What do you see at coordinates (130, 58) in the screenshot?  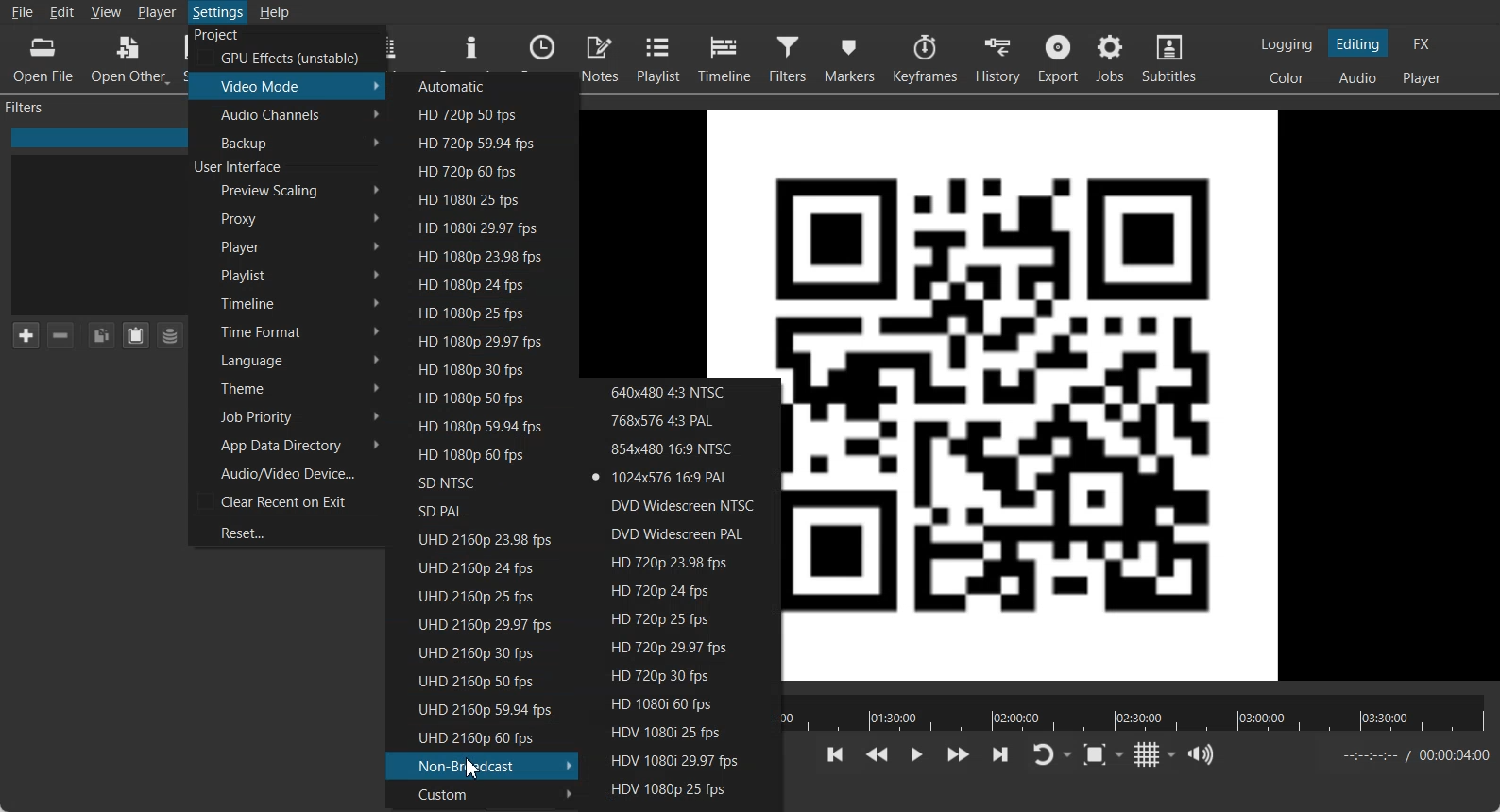 I see `Open Other` at bounding box center [130, 58].